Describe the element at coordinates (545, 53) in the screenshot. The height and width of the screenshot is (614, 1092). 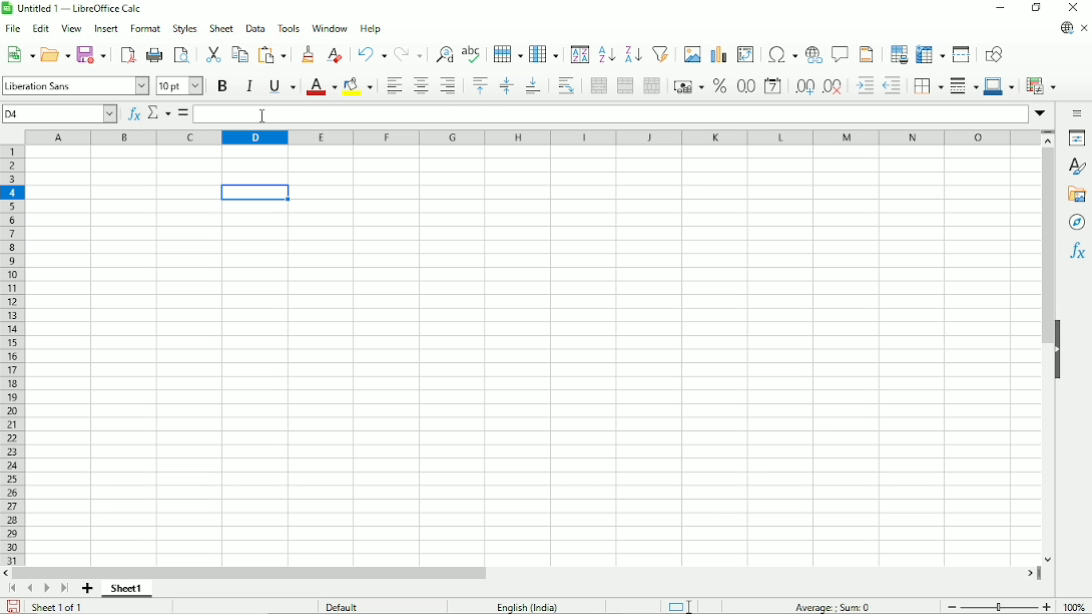
I see `Column` at that location.